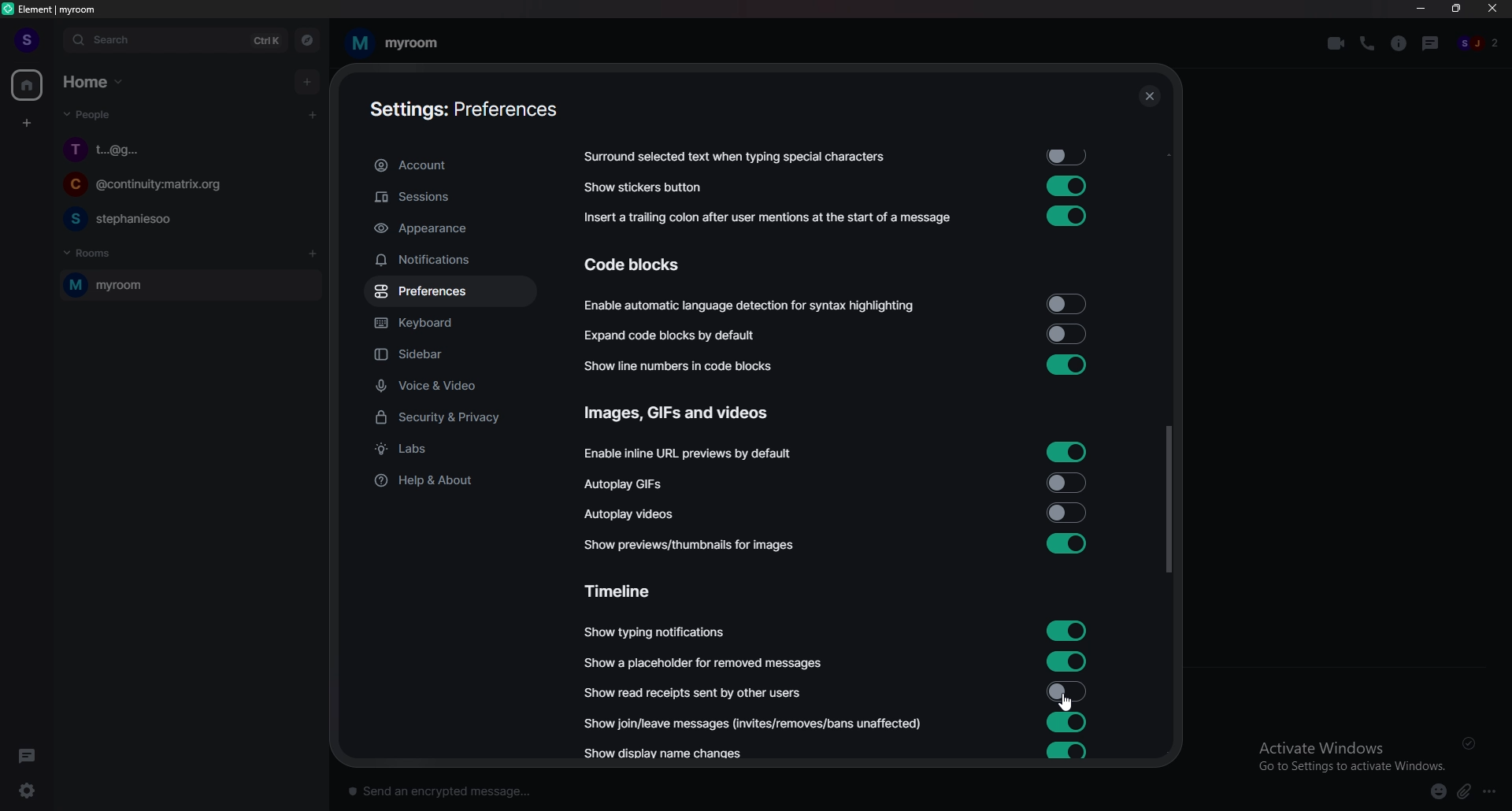 Image resolution: width=1512 pixels, height=811 pixels. What do you see at coordinates (28, 124) in the screenshot?
I see `create a space` at bounding box center [28, 124].